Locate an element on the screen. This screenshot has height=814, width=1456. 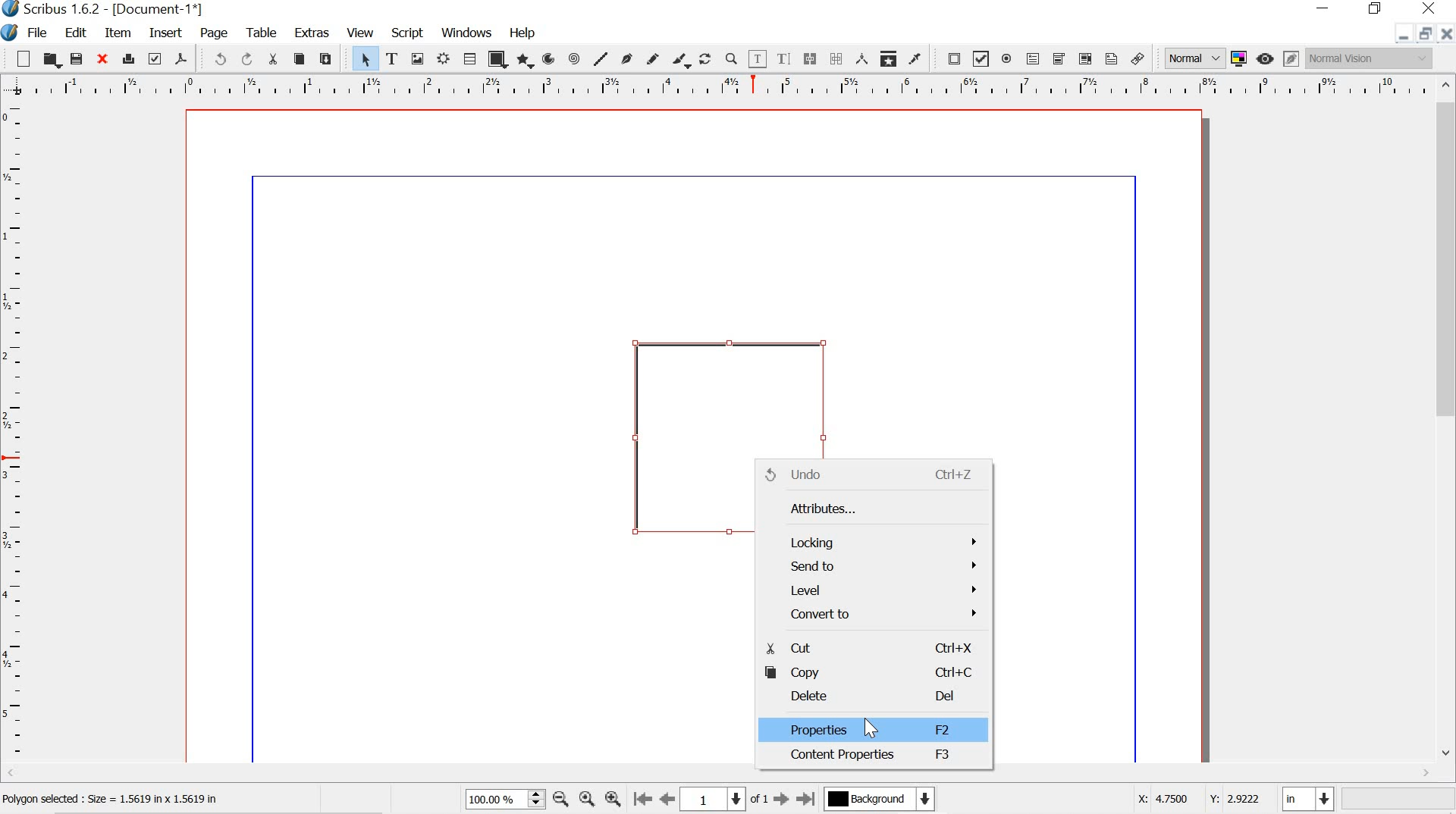
go to first page is located at coordinates (644, 801).